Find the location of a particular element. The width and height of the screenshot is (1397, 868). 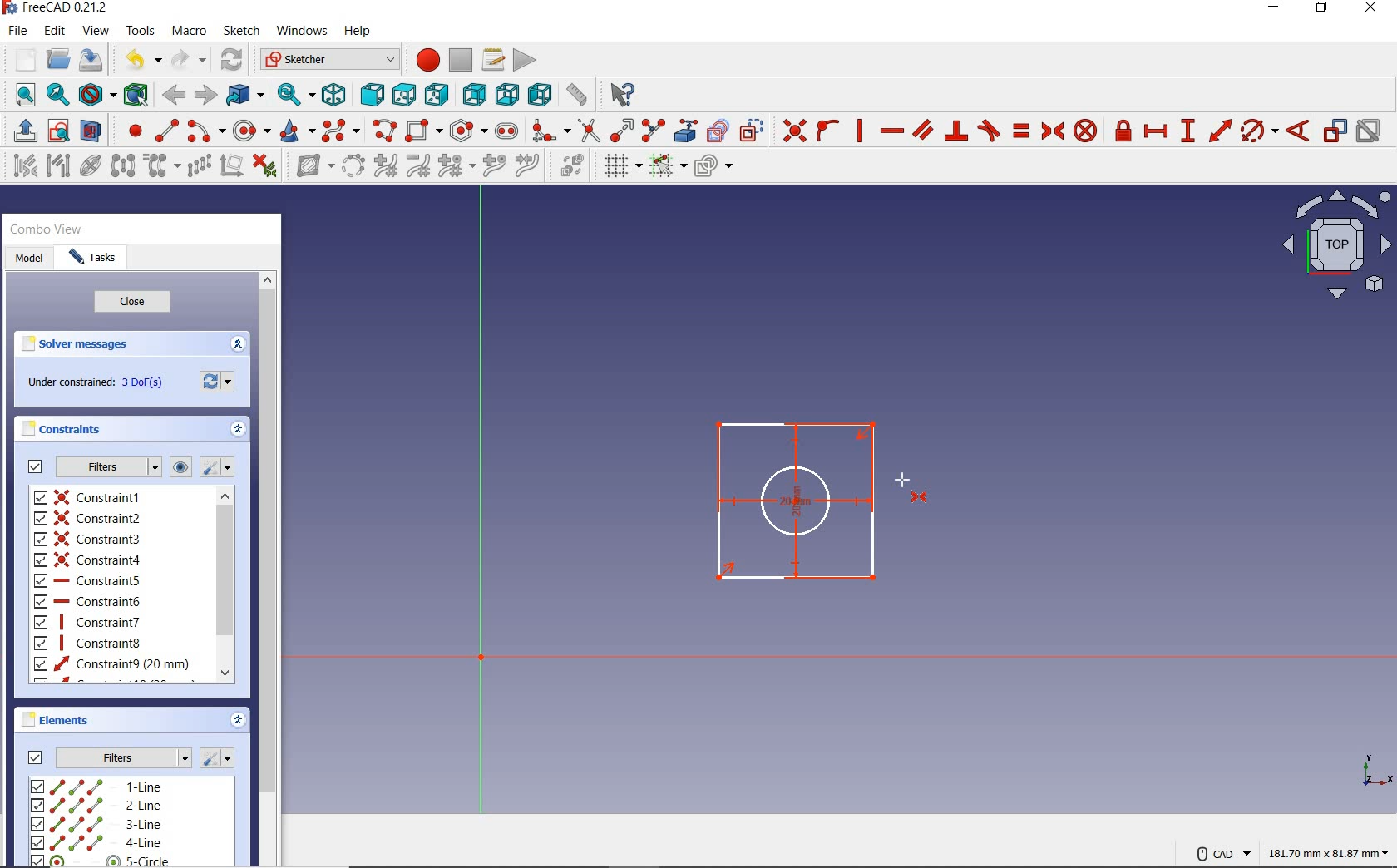

draw style is located at coordinates (95, 94).